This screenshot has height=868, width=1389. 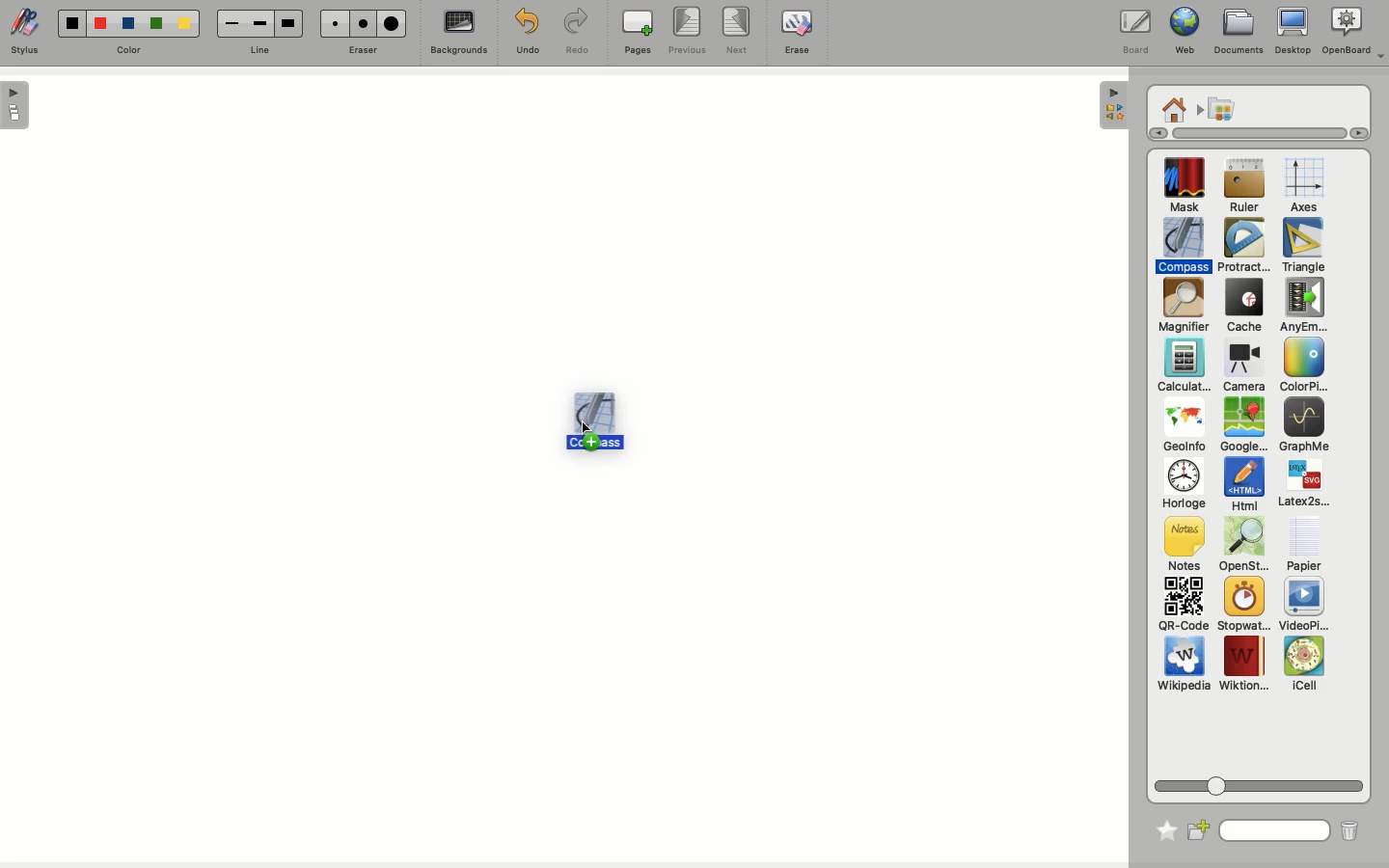 I want to click on Home, so click(x=1174, y=108).